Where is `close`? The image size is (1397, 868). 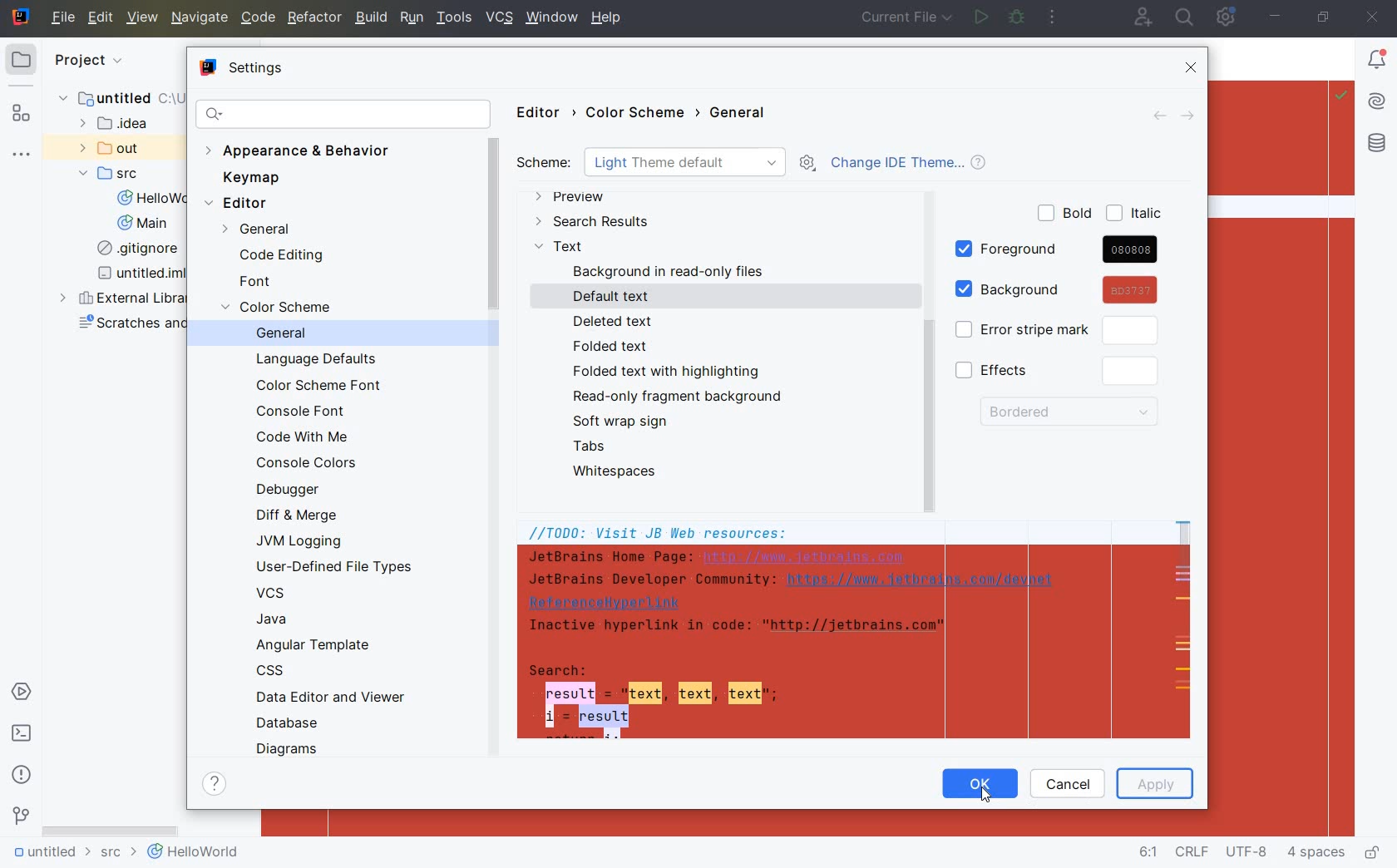 close is located at coordinates (1373, 18).